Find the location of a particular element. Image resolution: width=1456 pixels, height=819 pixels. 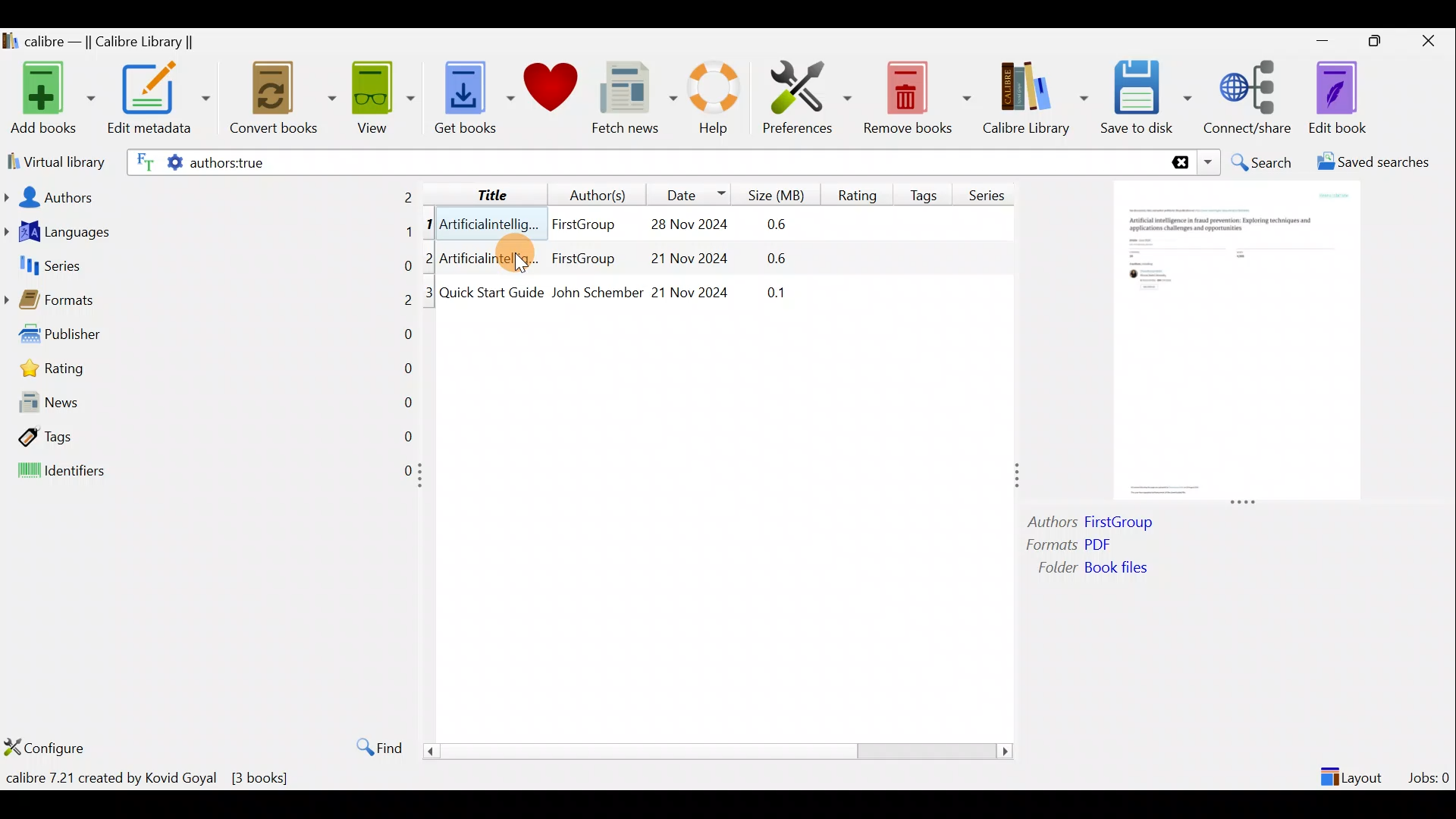

0.6 is located at coordinates (763, 261).